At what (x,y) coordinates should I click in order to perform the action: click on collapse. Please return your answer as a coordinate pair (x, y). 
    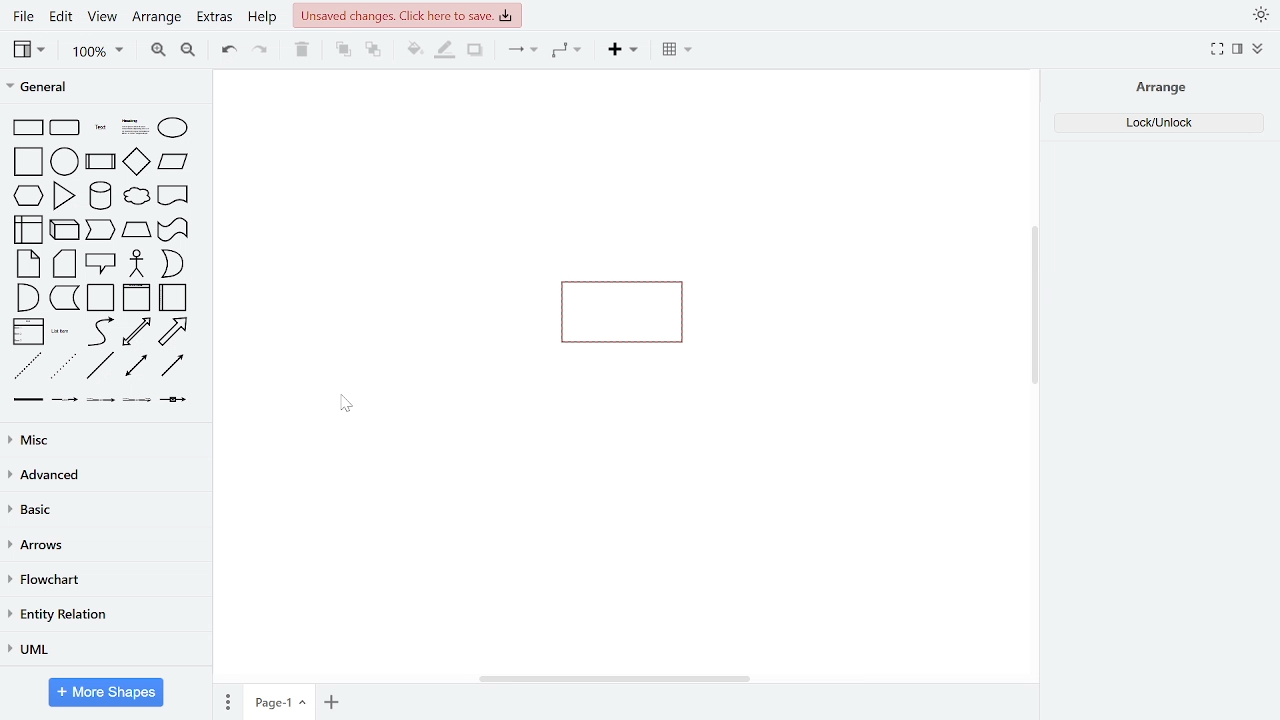
    Looking at the image, I should click on (1260, 47).